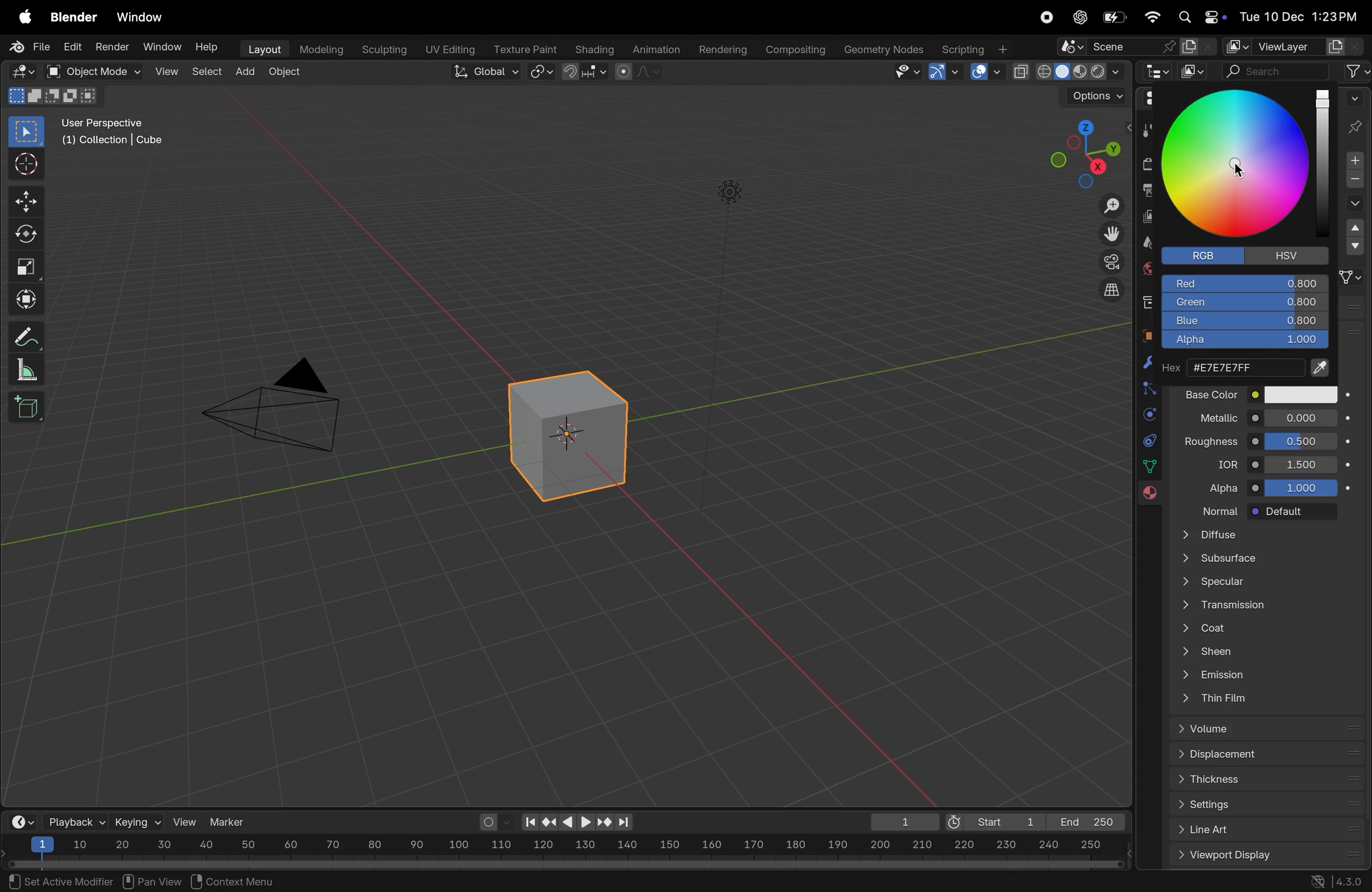 Image resolution: width=1372 pixels, height=892 pixels. Describe the element at coordinates (119, 131) in the screenshot. I see `user perspective` at that location.